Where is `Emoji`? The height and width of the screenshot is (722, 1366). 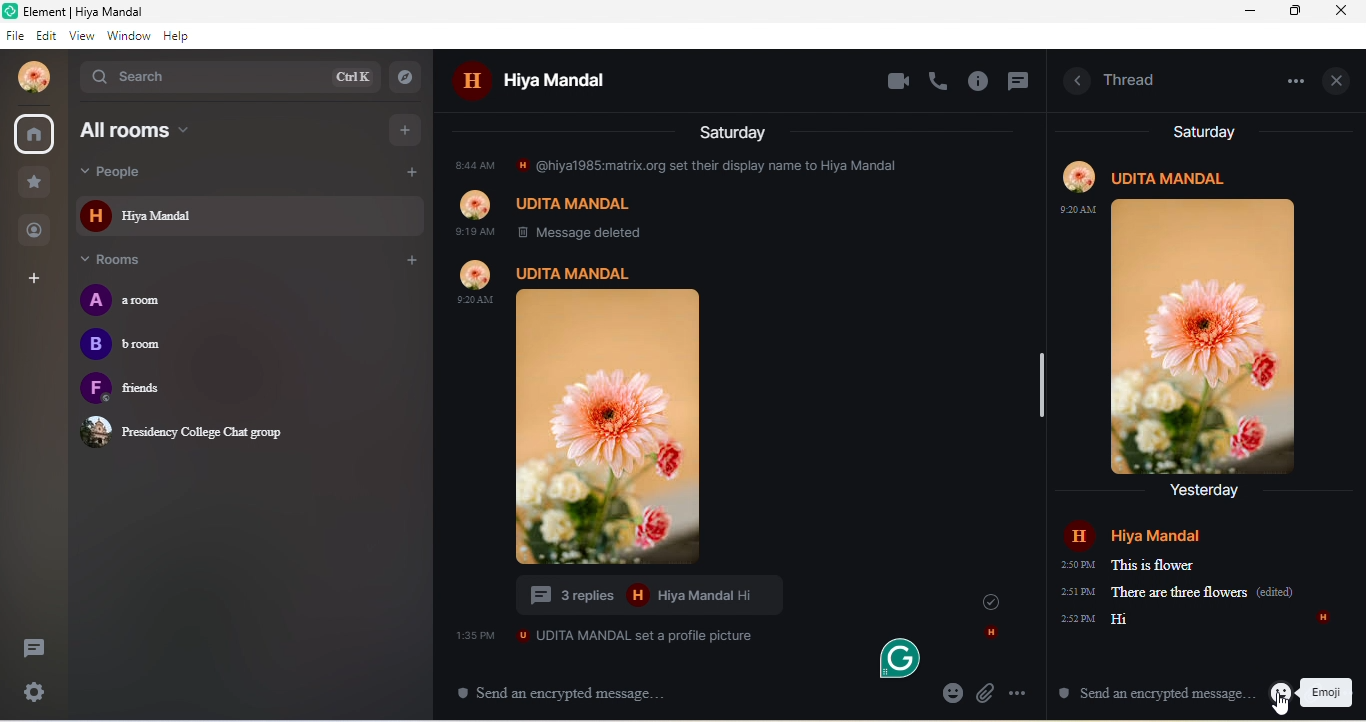
Emoji is located at coordinates (1327, 692).